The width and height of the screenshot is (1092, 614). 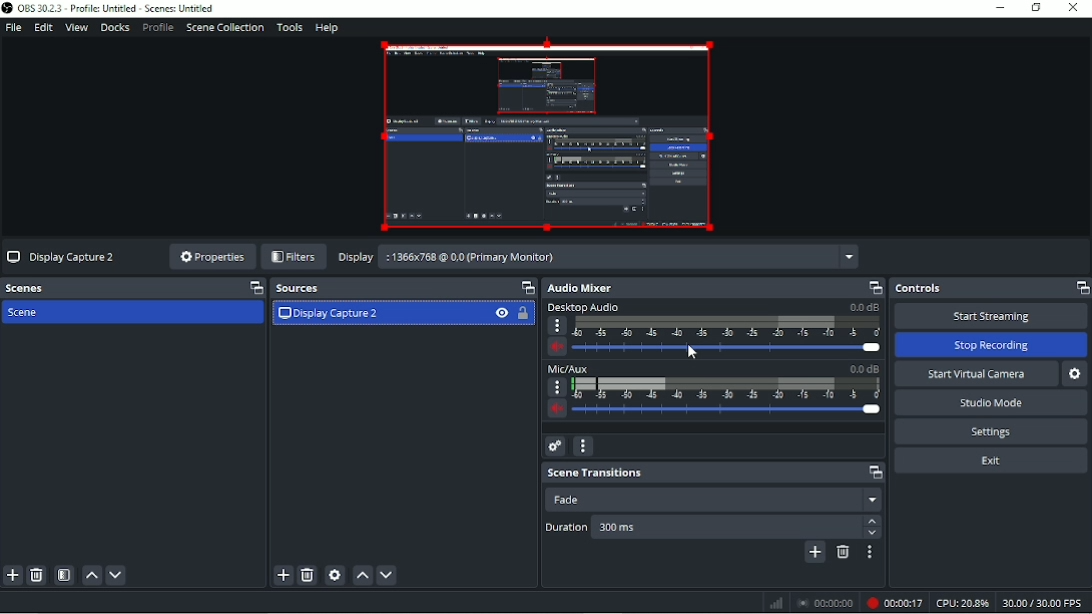 What do you see at coordinates (335, 575) in the screenshot?
I see `Open source properties` at bounding box center [335, 575].